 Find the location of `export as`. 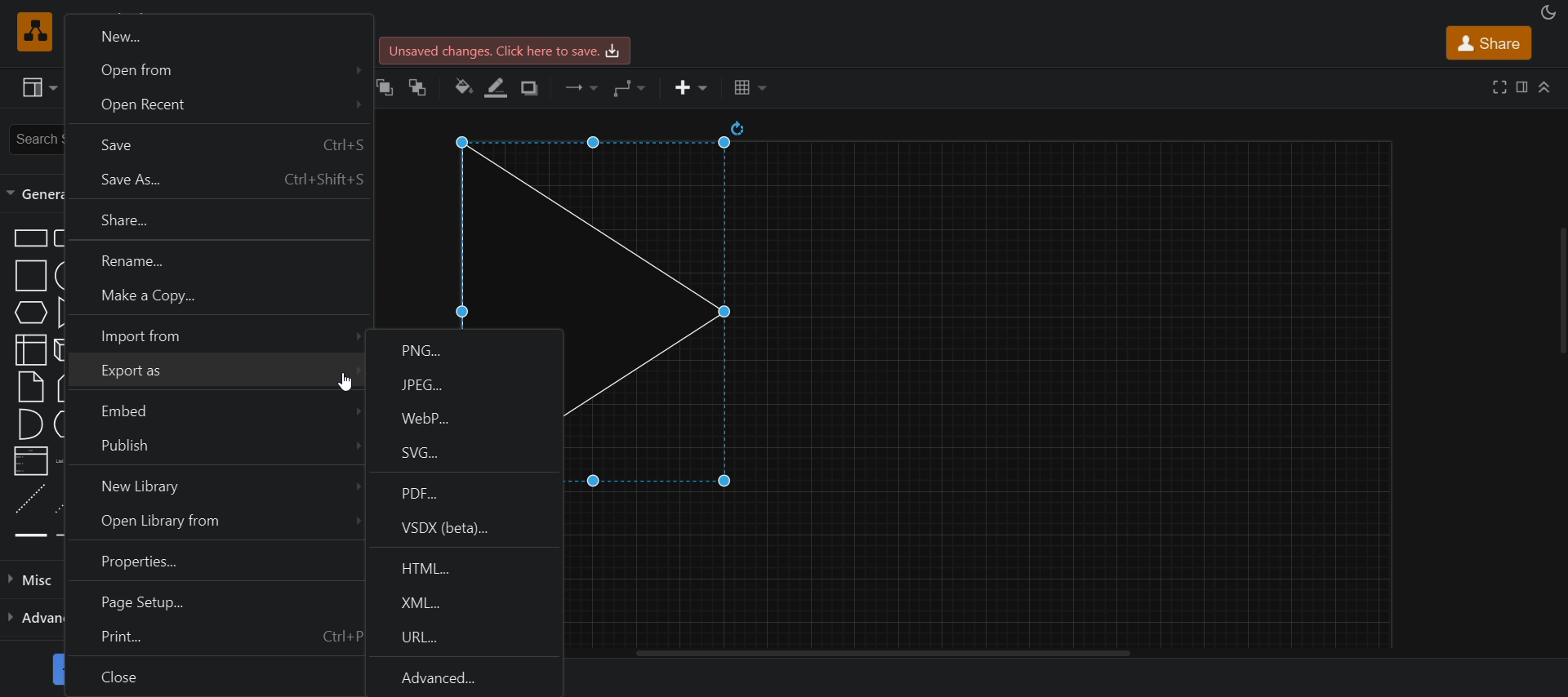

export as is located at coordinates (212, 374).